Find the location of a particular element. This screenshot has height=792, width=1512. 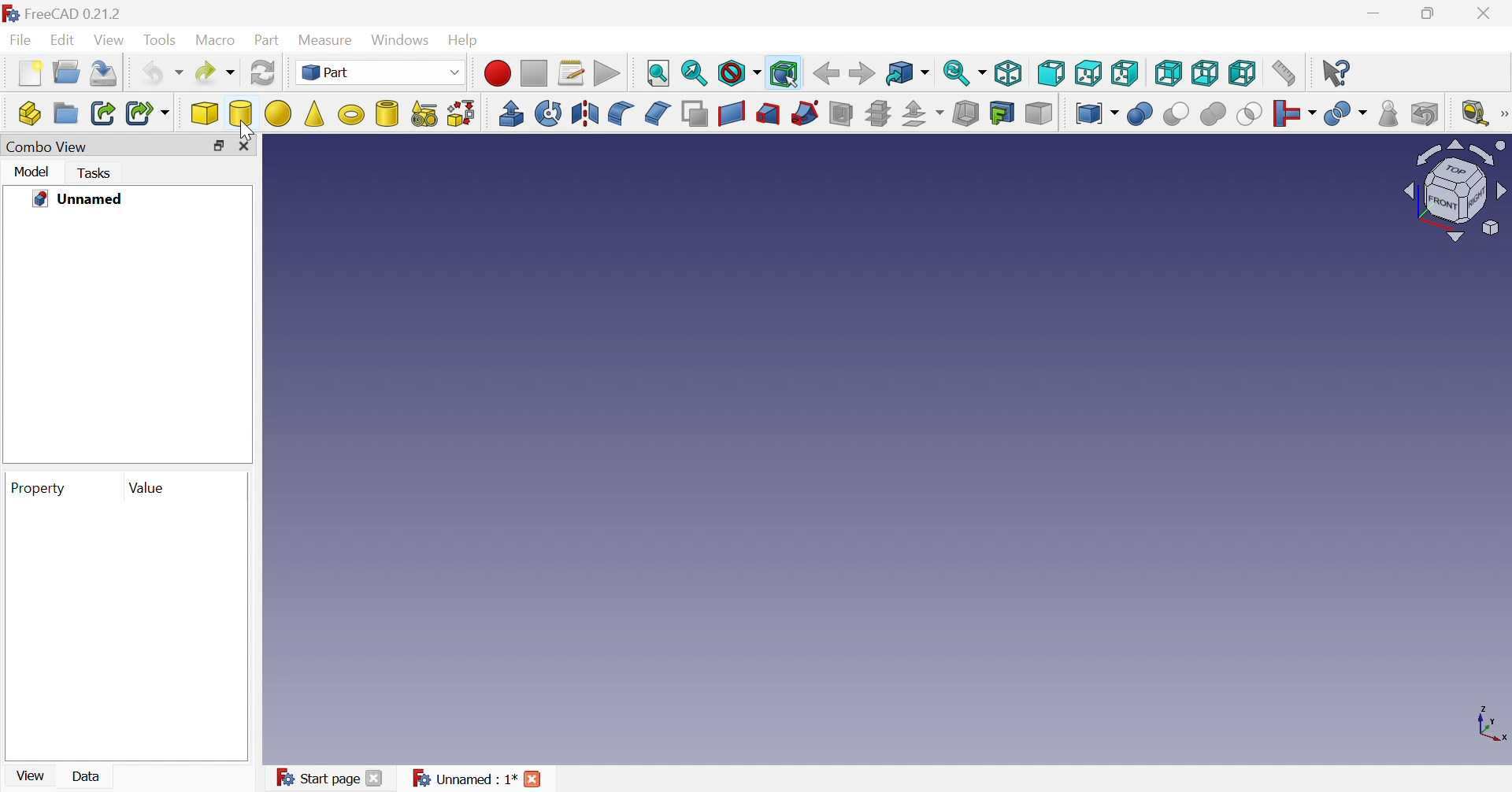

Bottom is located at coordinates (1206, 74).